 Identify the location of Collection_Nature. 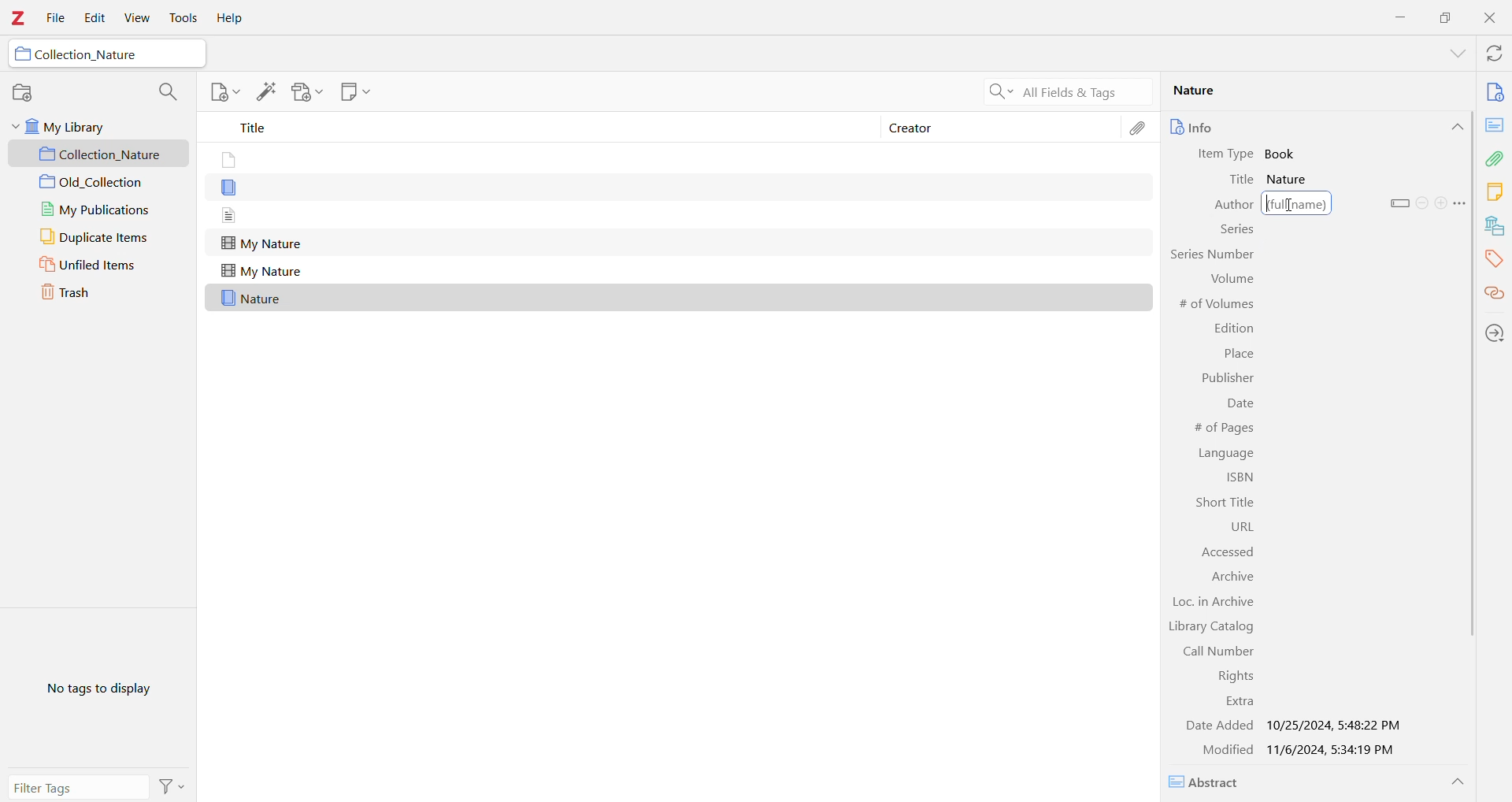
(87, 54).